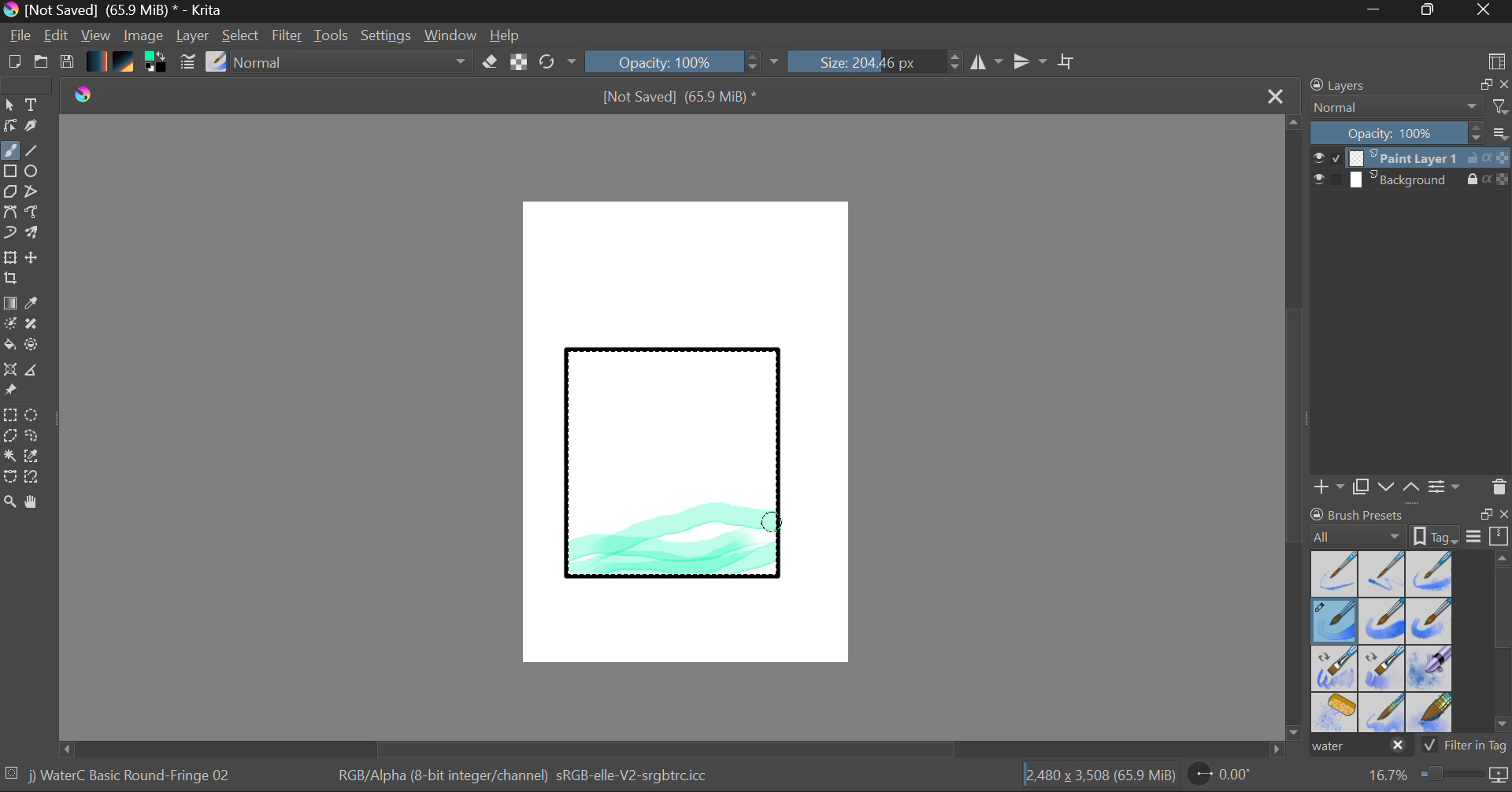 This screenshot has width=1512, height=792. Describe the element at coordinates (1430, 621) in the screenshot. I see `Water C - Grunge` at that location.